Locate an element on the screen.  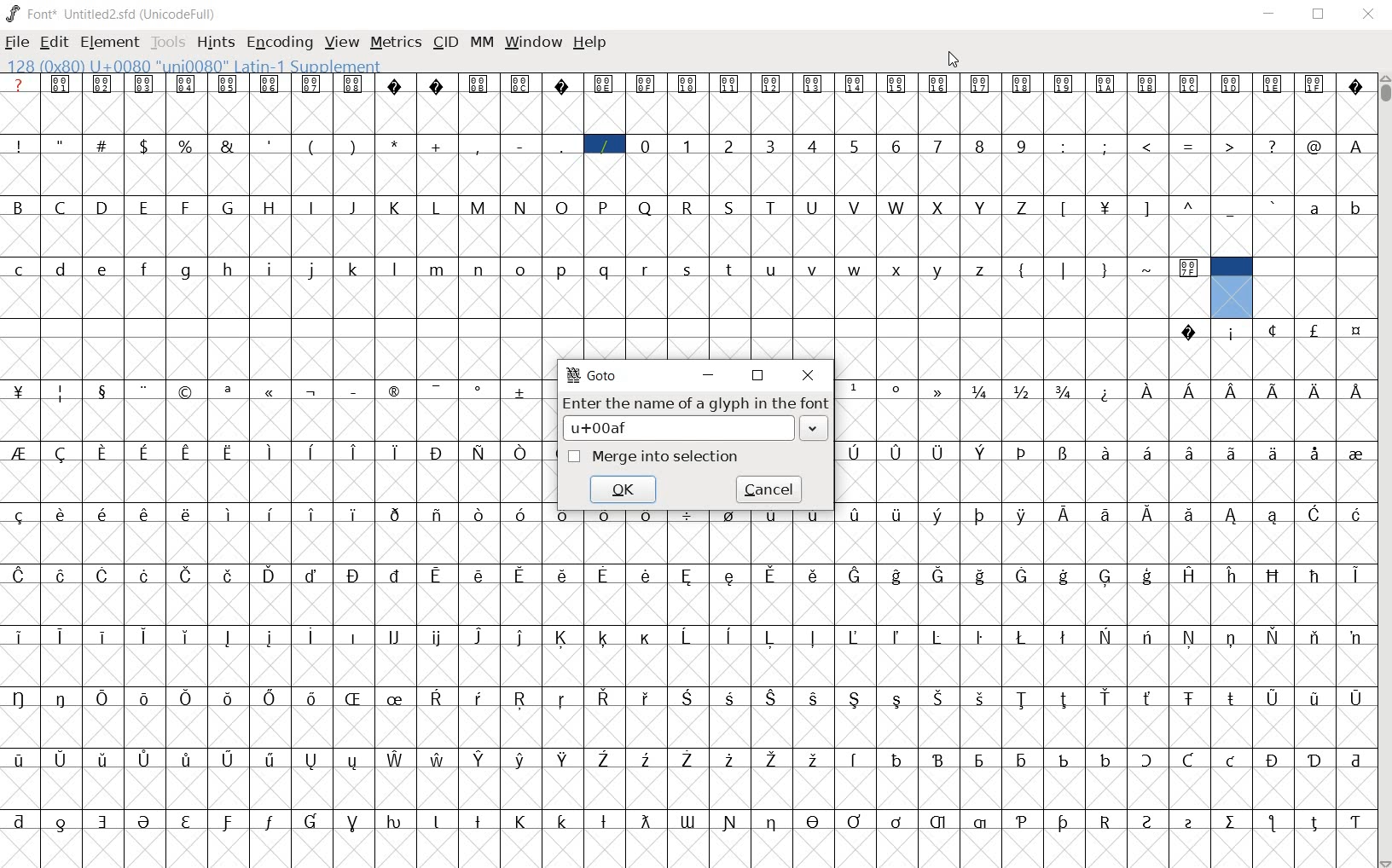
Symbol is located at coordinates (563, 574).